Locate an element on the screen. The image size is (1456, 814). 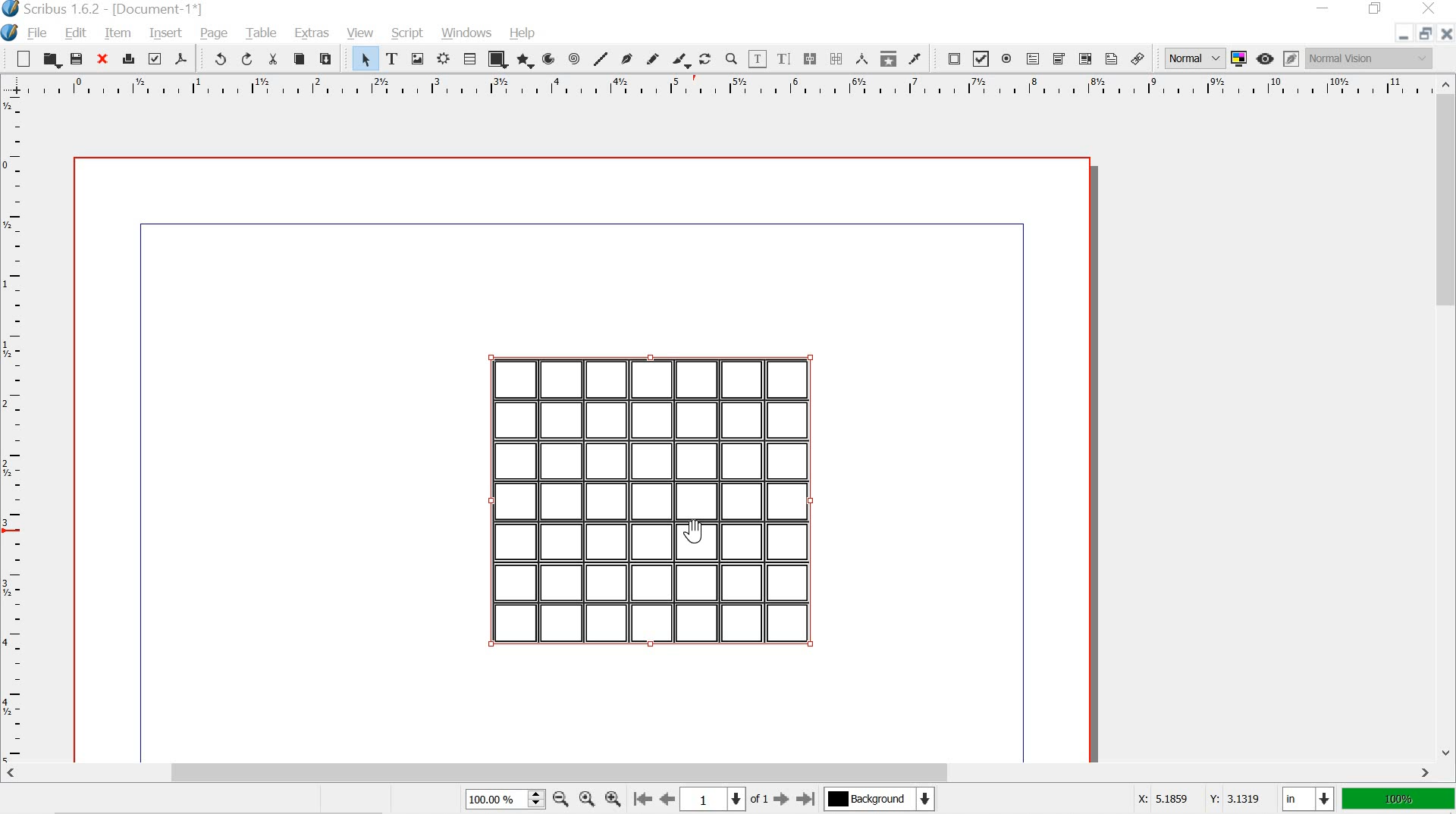
close is located at coordinates (104, 60).